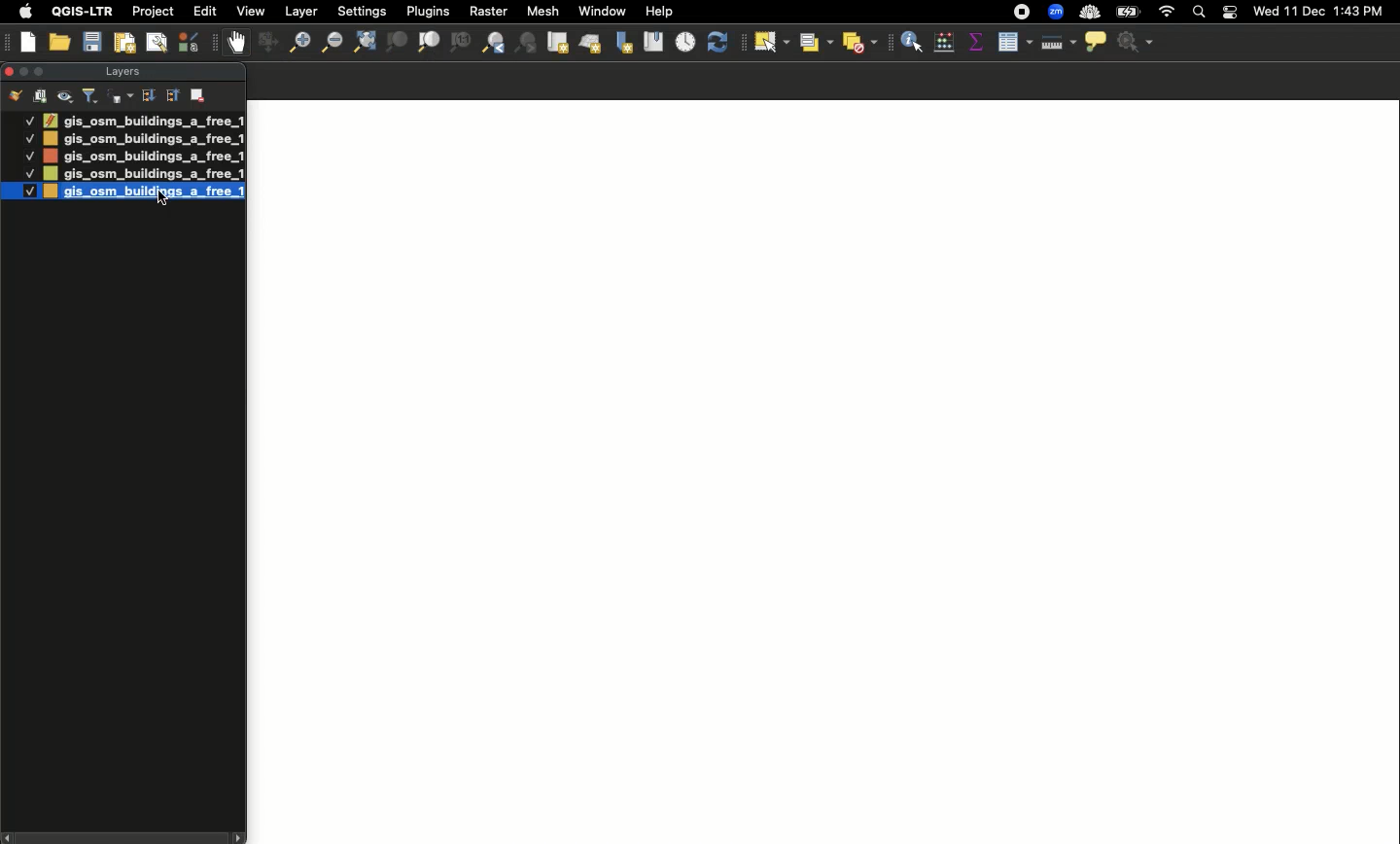 This screenshot has width=1400, height=844. I want to click on Show statistical summary, so click(975, 43).